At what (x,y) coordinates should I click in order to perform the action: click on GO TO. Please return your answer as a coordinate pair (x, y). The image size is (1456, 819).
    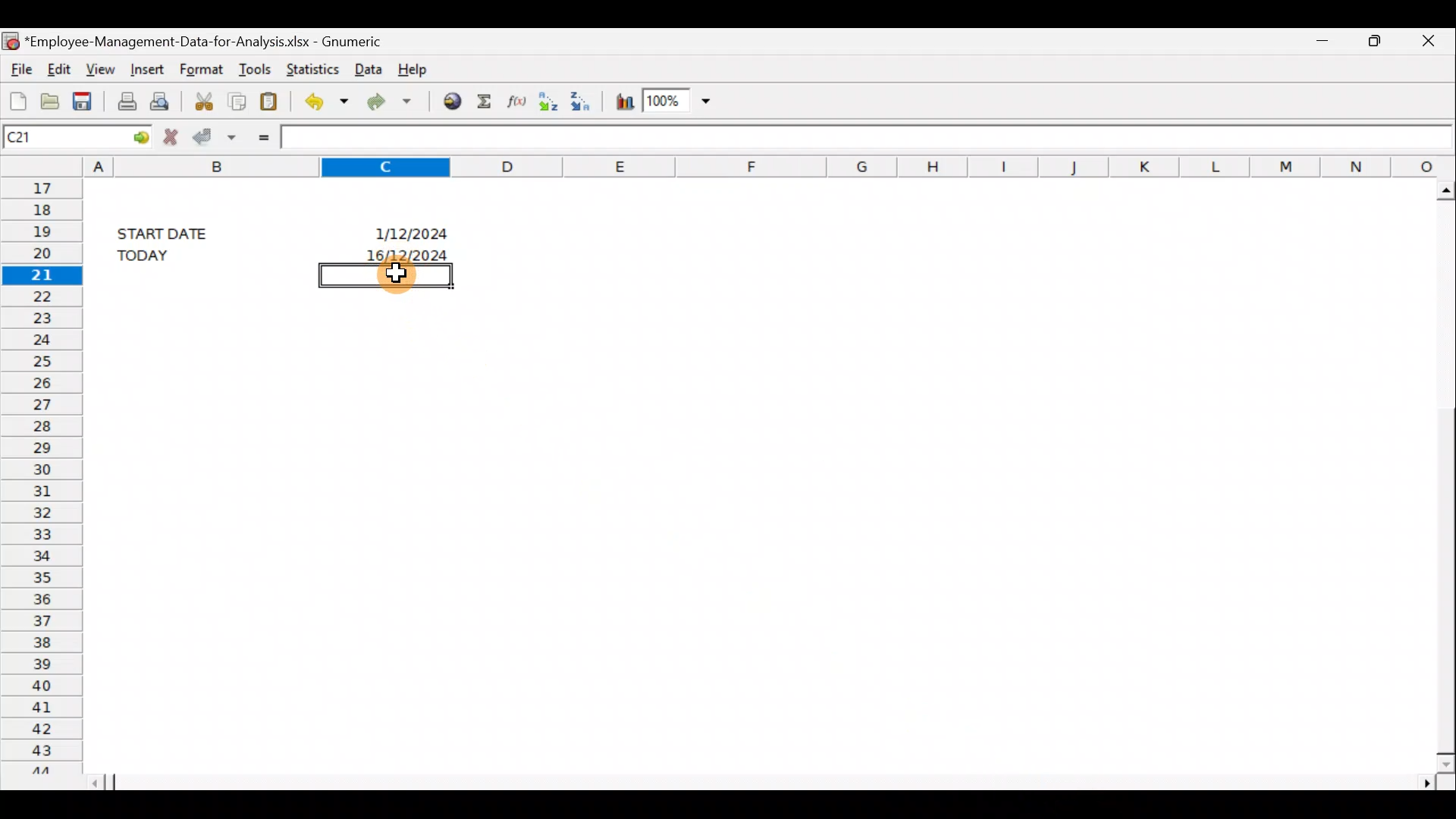
    Looking at the image, I should click on (127, 136).